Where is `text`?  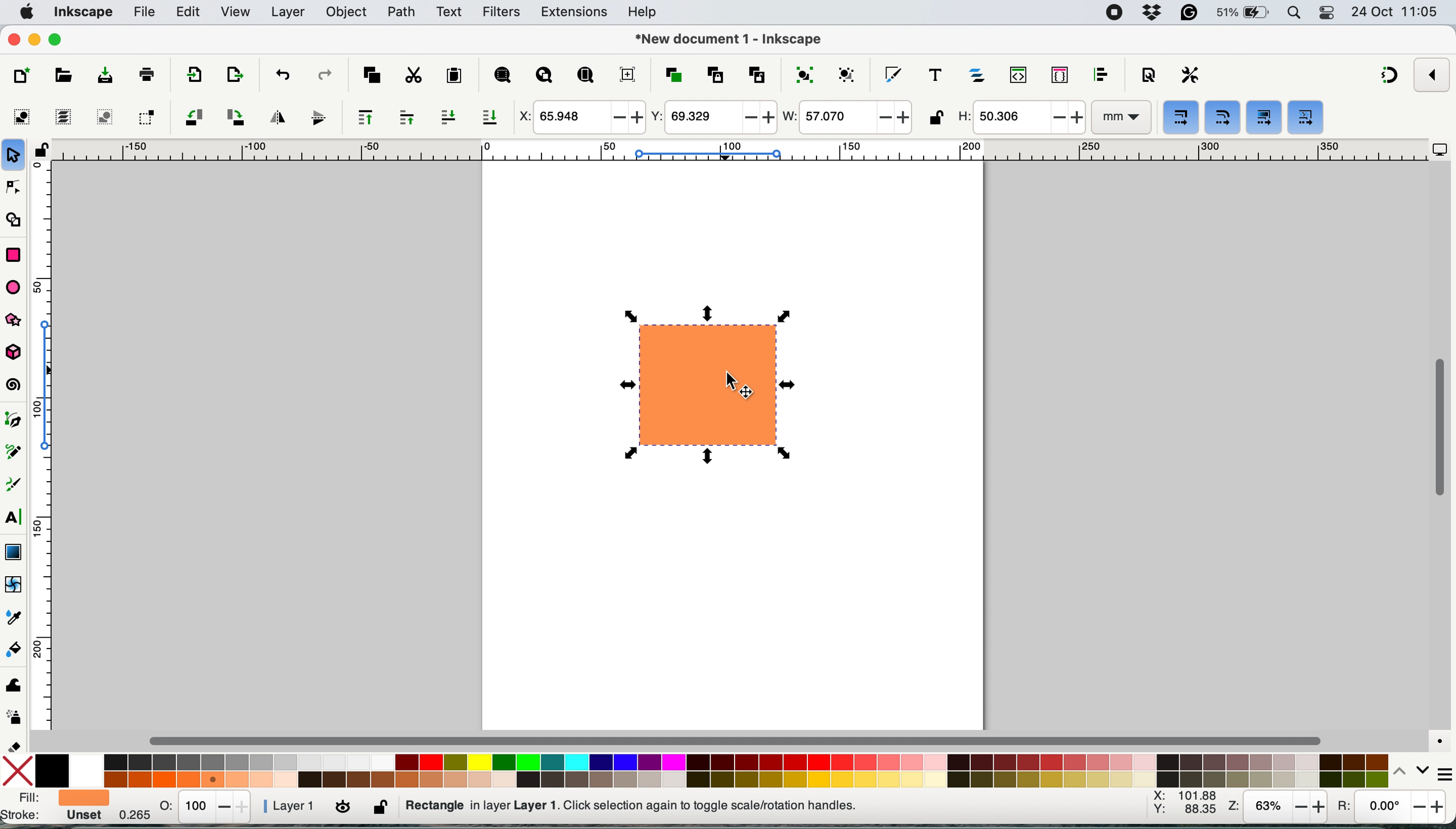 text is located at coordinates (450, 12).